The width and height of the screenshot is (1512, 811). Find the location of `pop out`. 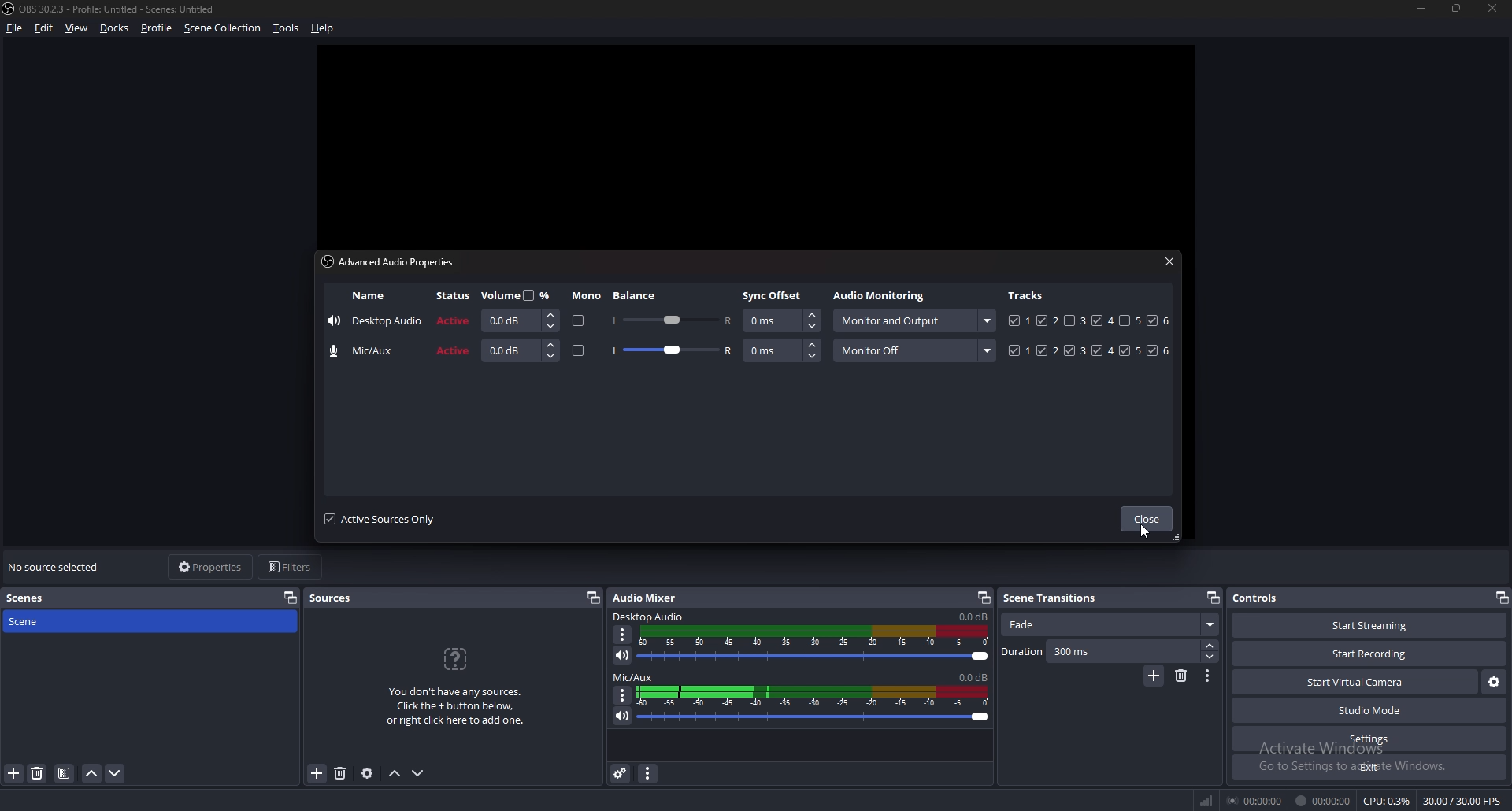

pop out is located at coordinates (291, 598).